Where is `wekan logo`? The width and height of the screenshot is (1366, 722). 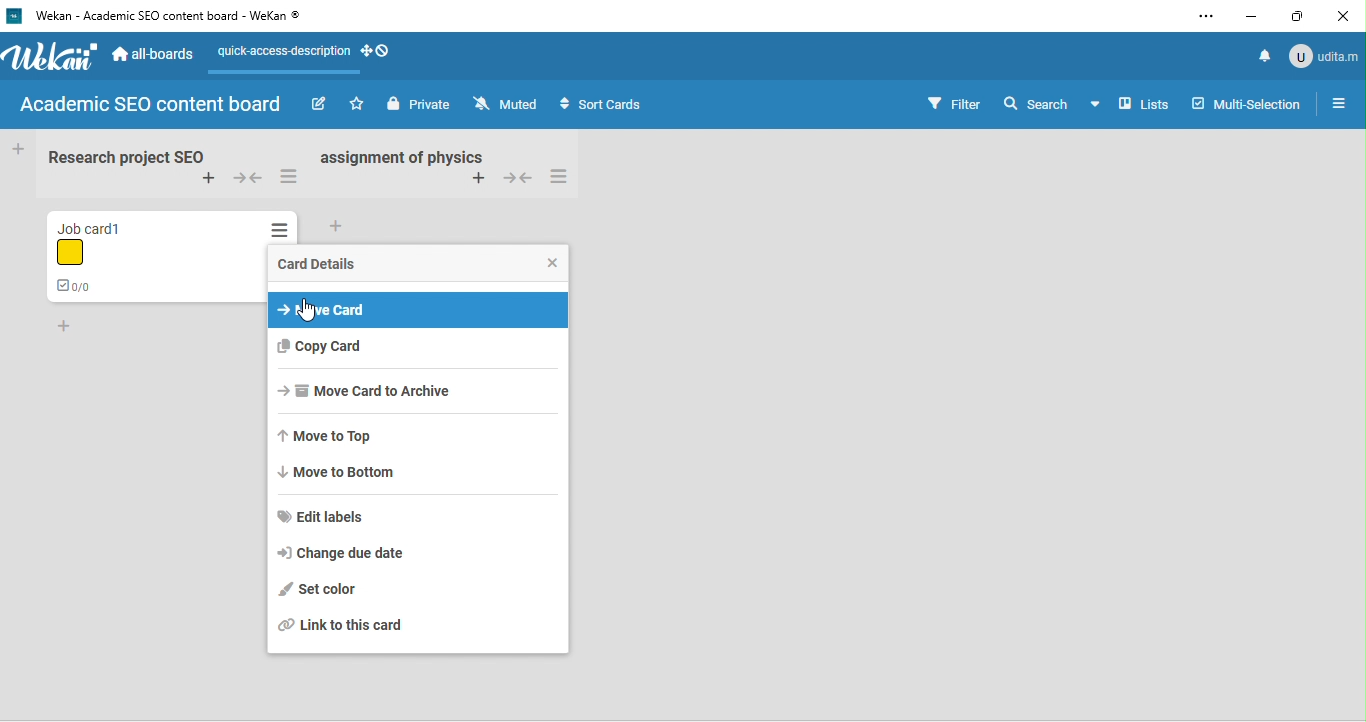 wekan logo is located at coordinates (50, 57).